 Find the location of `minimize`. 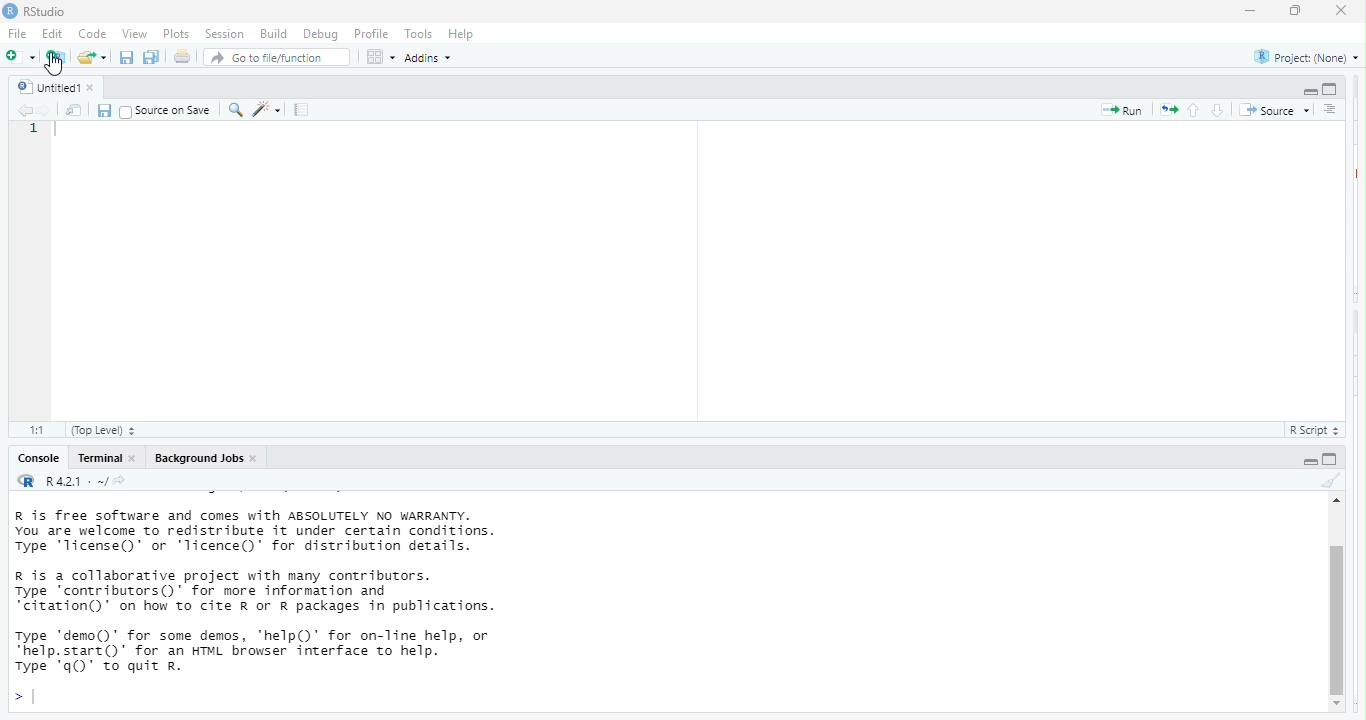

minimize is located at coordinates (1250, 11).